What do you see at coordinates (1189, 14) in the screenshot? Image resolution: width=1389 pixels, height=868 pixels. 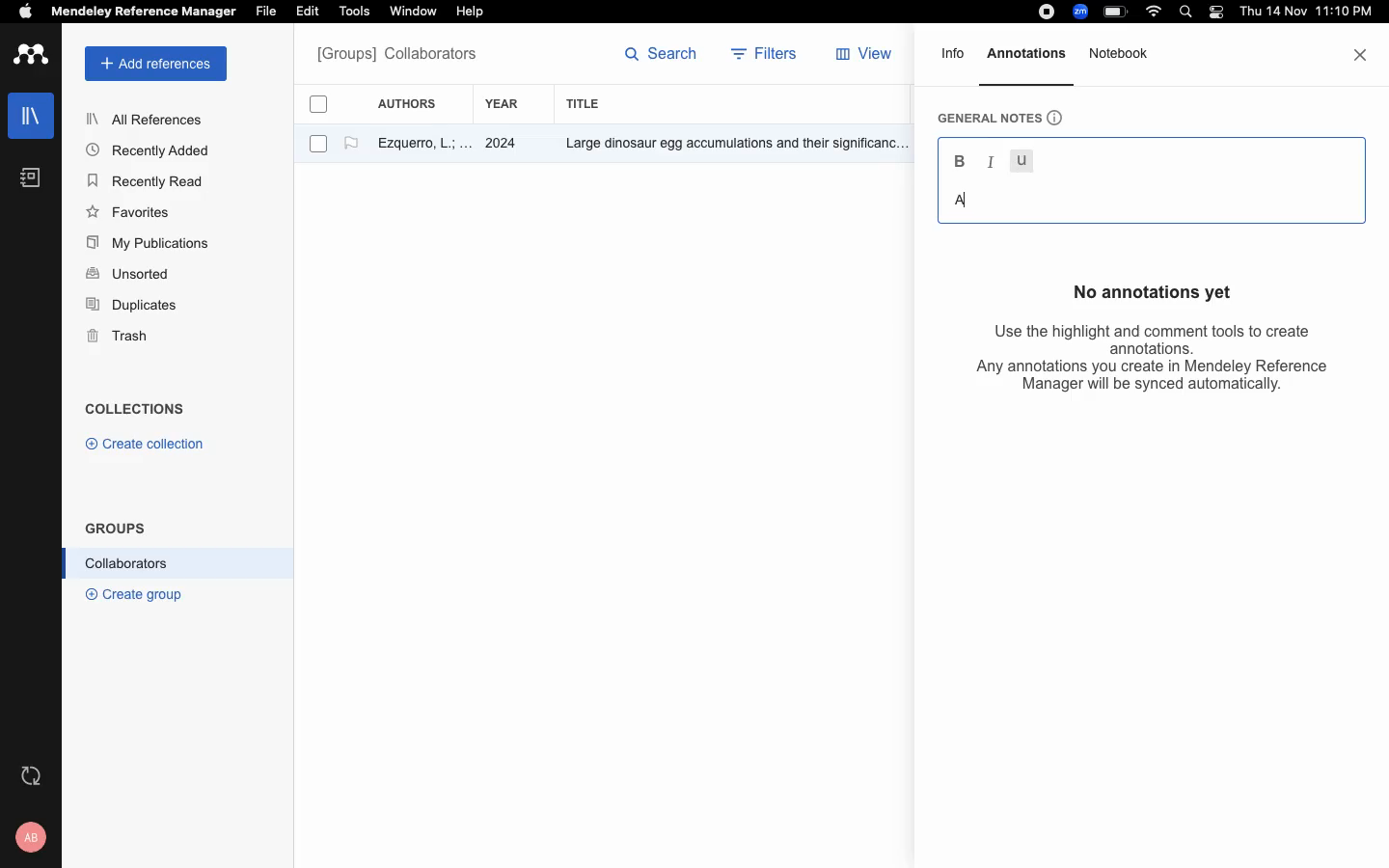 I see `search` at bounding box center [1189, 14].